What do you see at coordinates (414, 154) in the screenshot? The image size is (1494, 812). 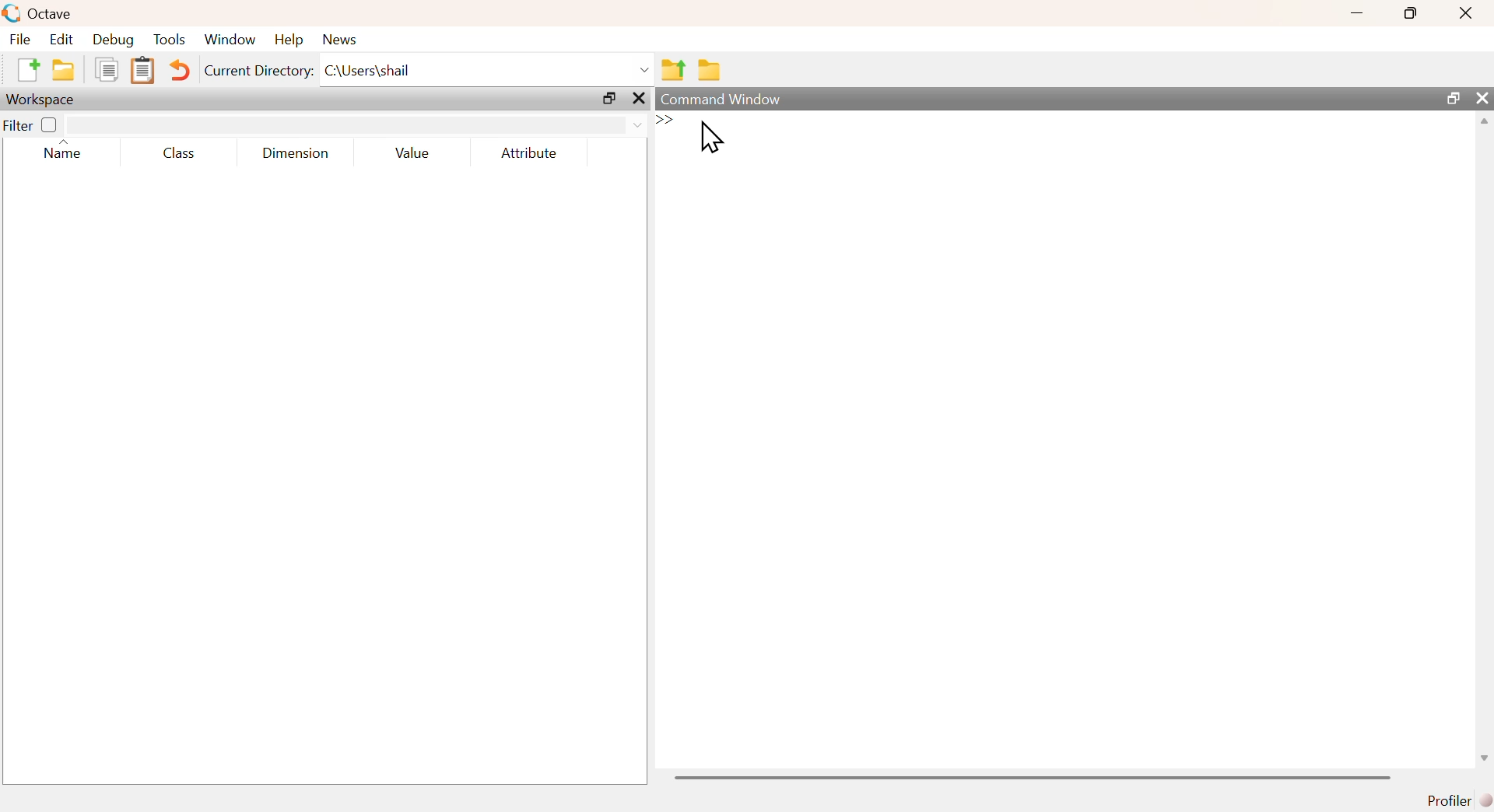 I see `value` at bounding box center [414, 154].